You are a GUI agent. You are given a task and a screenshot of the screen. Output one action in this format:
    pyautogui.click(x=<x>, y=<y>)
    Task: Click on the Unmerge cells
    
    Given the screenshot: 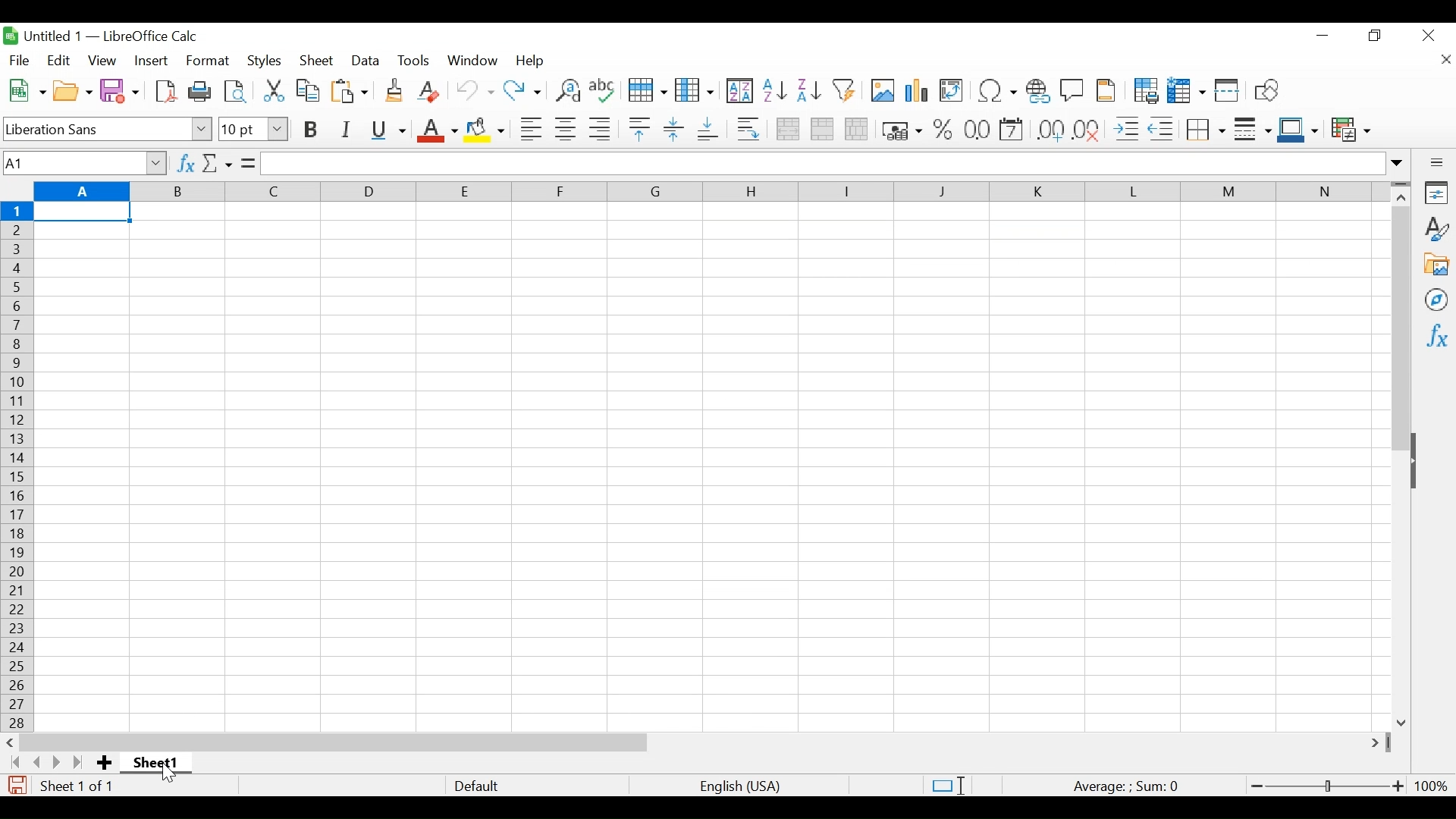 What is the action you would take?
    pyautogui.click(x=857, y=130)
    